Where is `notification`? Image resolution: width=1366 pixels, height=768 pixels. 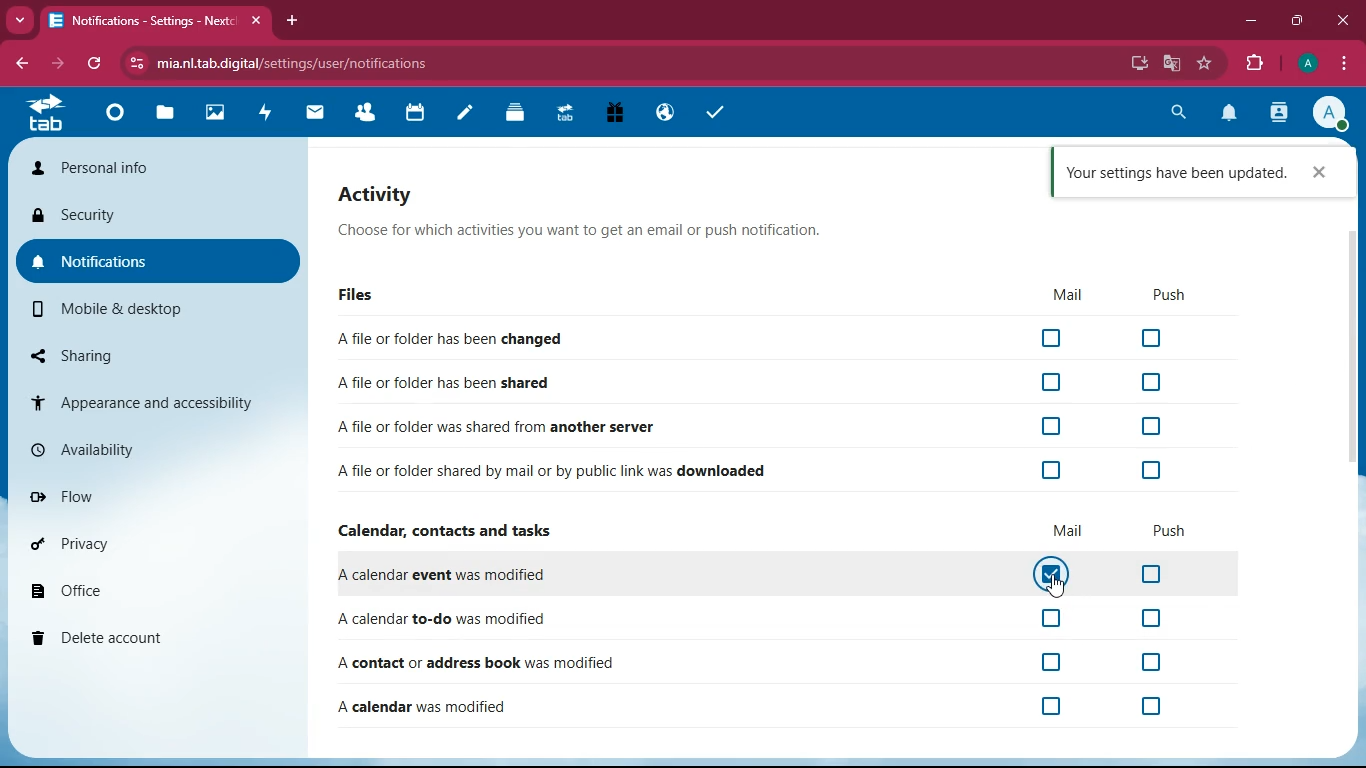 notification is located at coordinates (1230, 114).